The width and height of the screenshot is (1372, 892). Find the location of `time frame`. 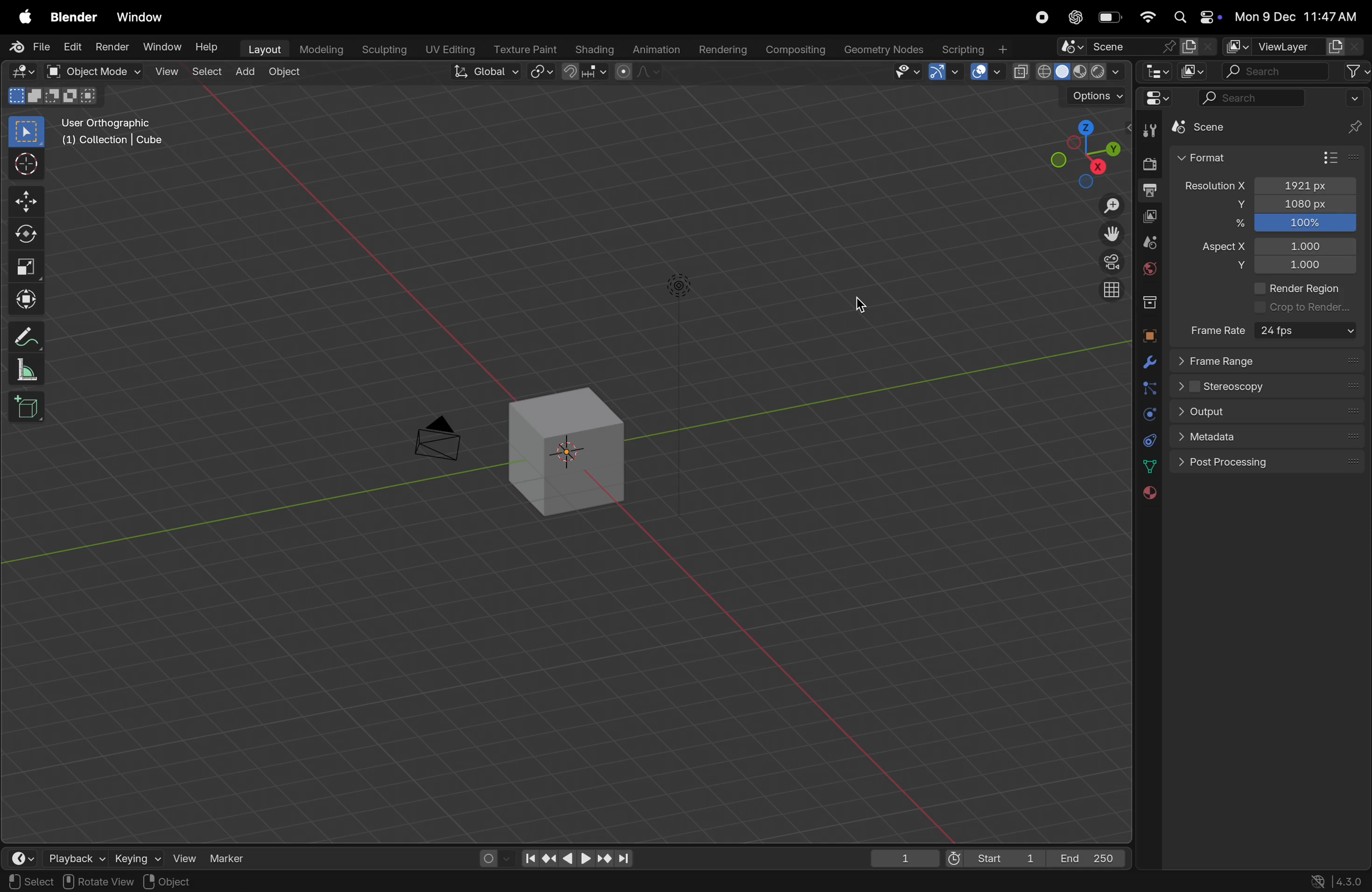

time frame is located at coordinates (24, 857).